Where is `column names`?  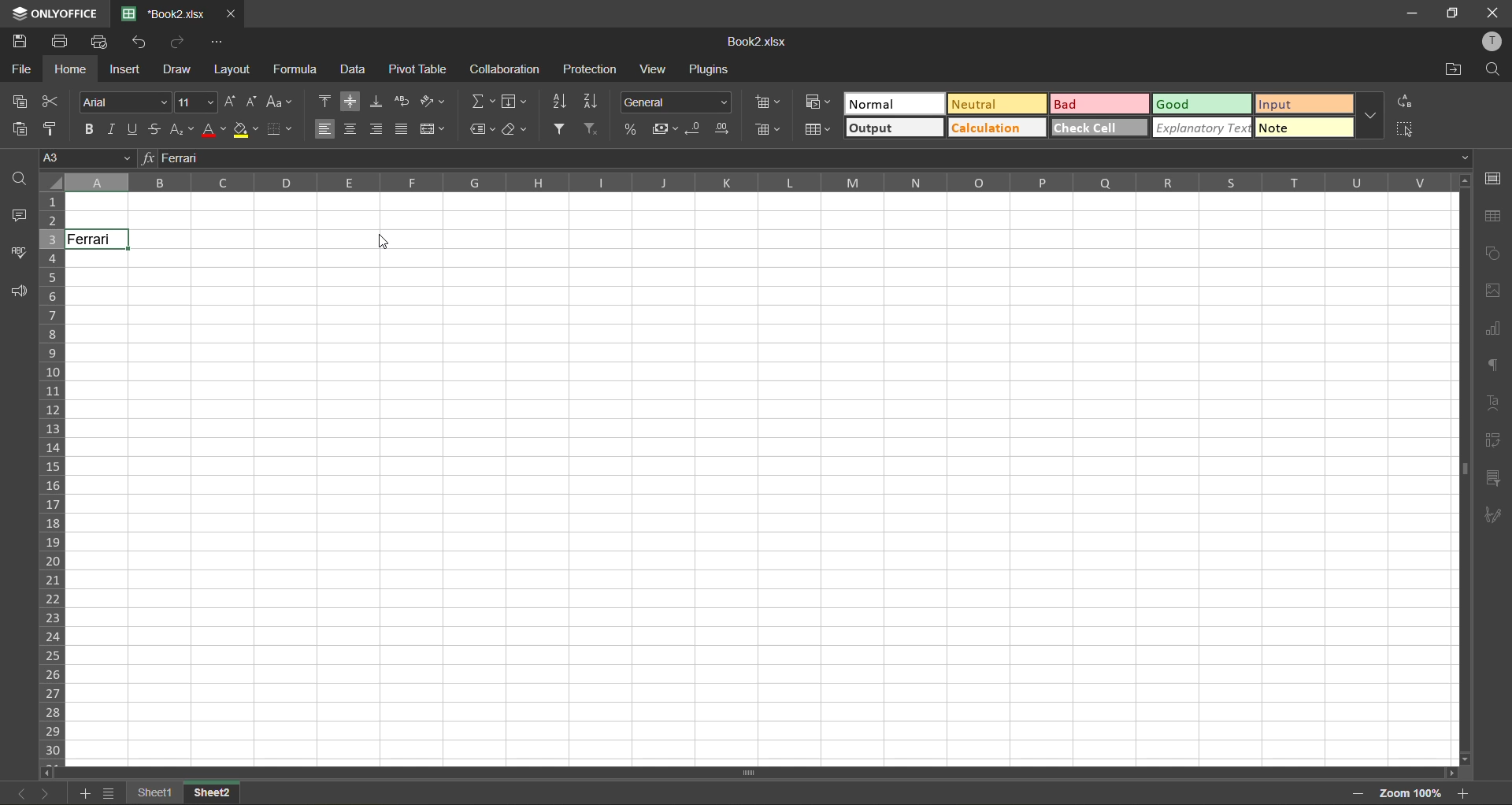
column names is located at coordinates (755, 183).